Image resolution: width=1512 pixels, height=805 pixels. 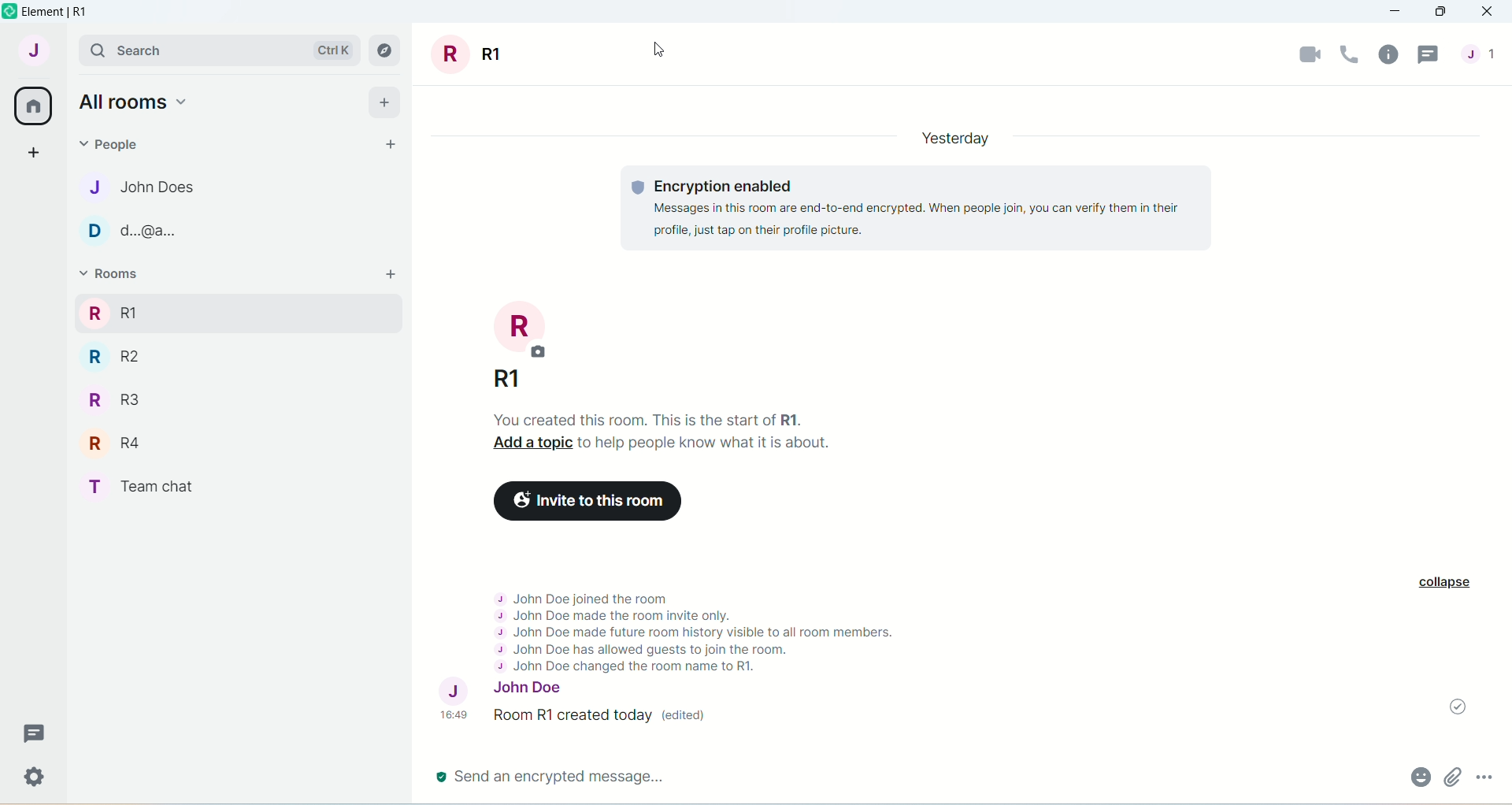 What do you see at coordinates (460, 54) in the screenshot?
I see `R1` at bounding box center [460, 54].